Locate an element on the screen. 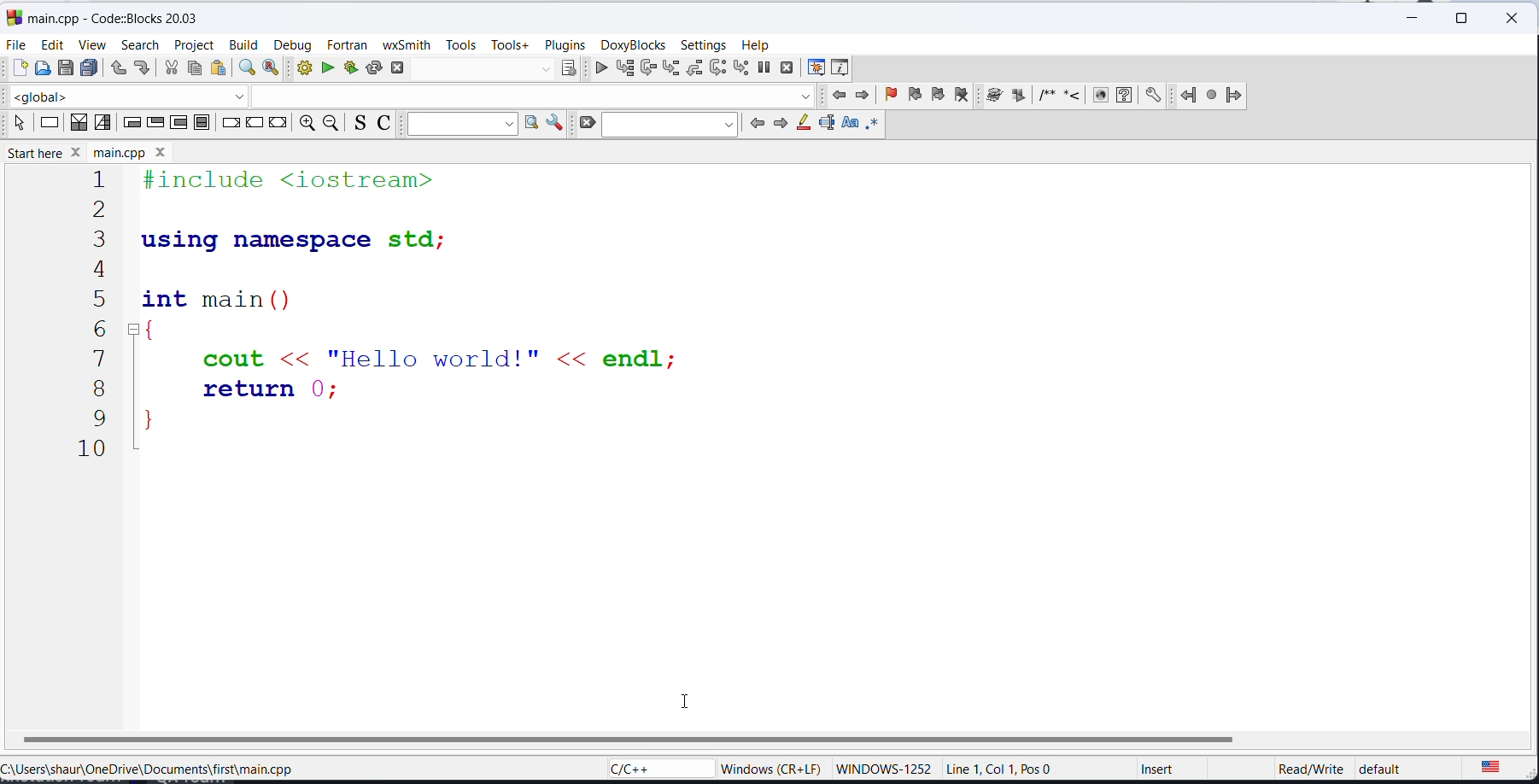  SHOW TARGET DIALOG is located at coordinates (567, 69).